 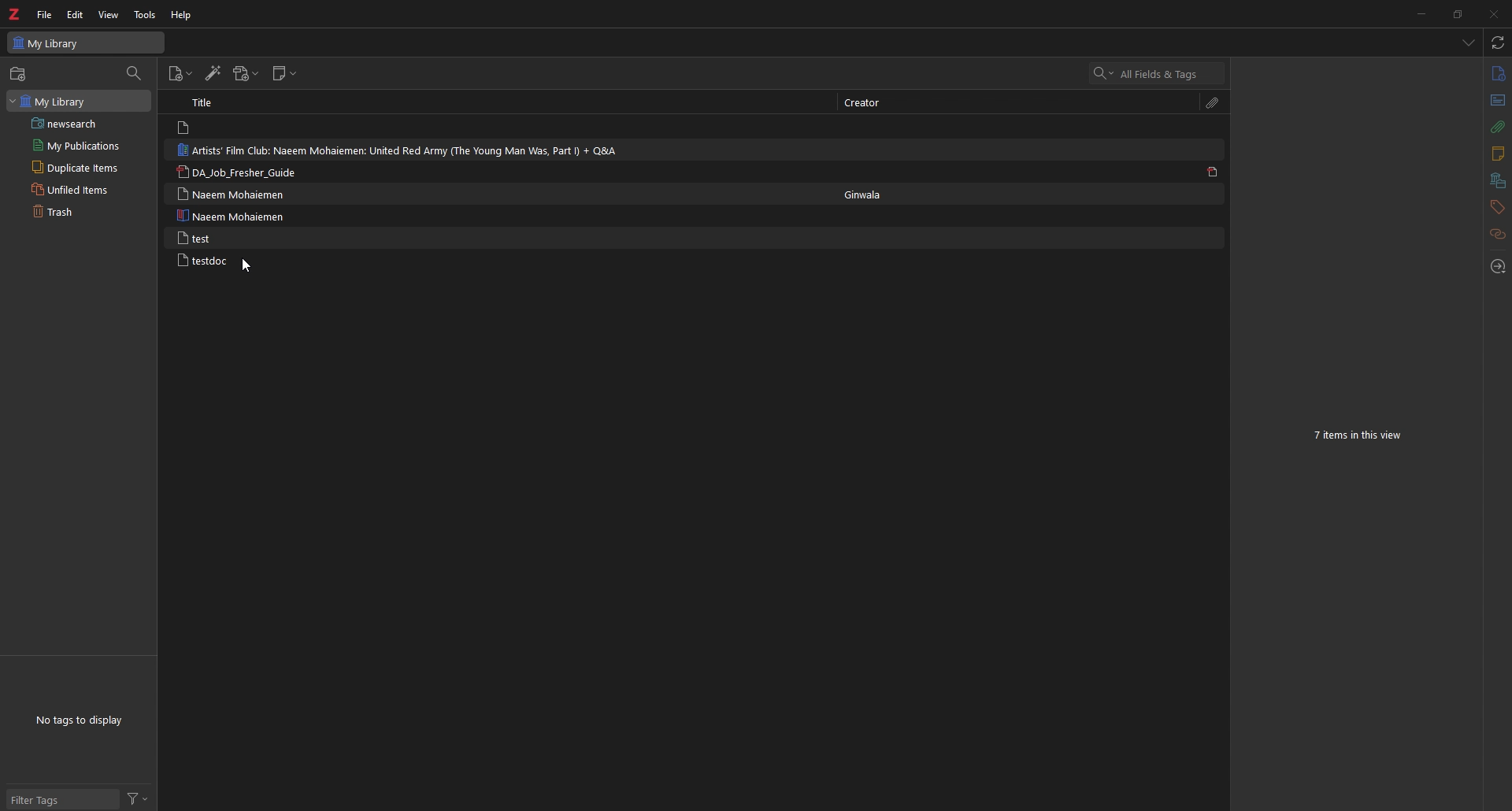 What do you see at coordinates (1158, 72) in the screenshot?
I see `search` at bounding box center [1158, 72].